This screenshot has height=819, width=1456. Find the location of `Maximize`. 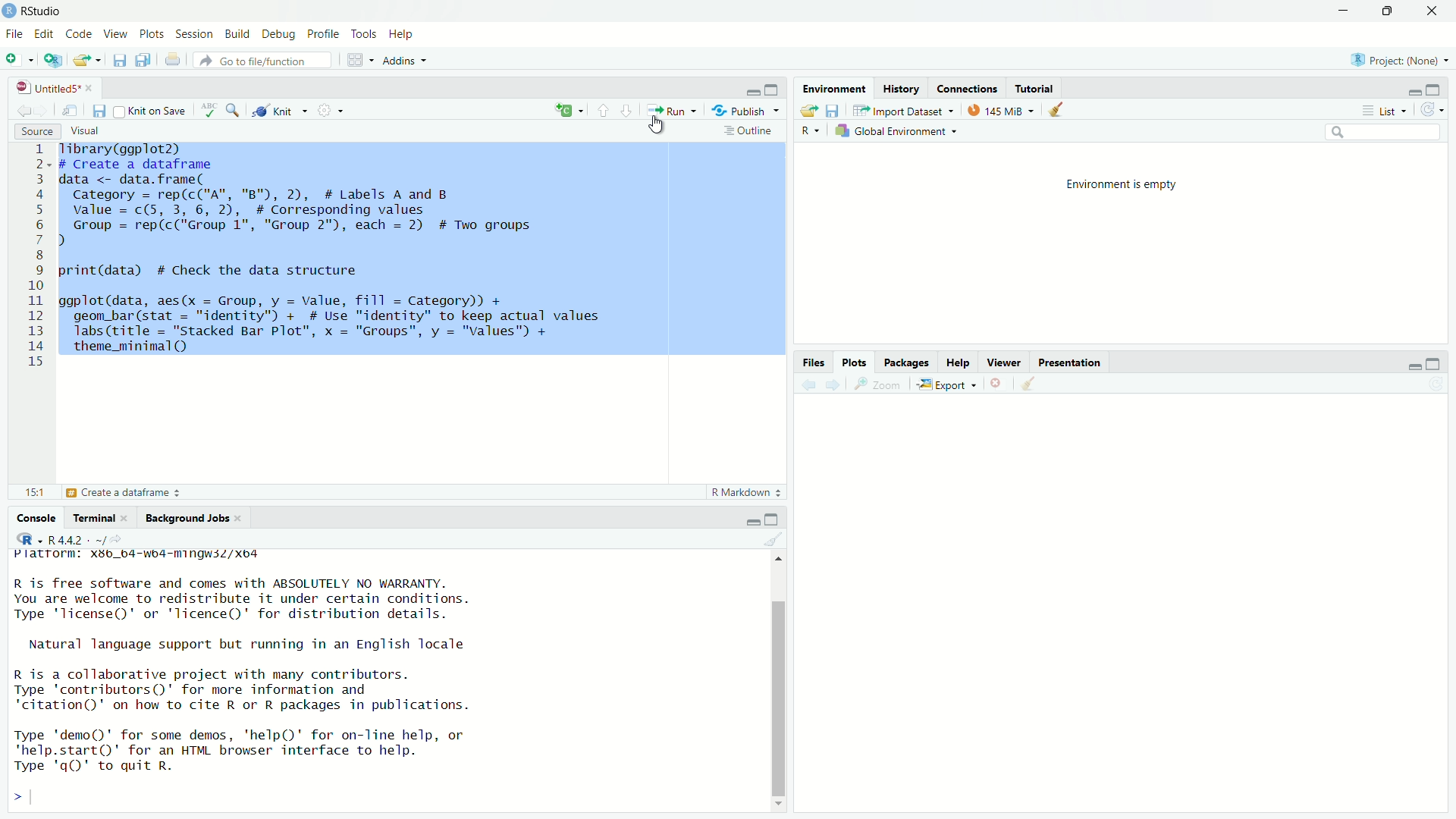

Maximize is located at coordinates (1439, 363).